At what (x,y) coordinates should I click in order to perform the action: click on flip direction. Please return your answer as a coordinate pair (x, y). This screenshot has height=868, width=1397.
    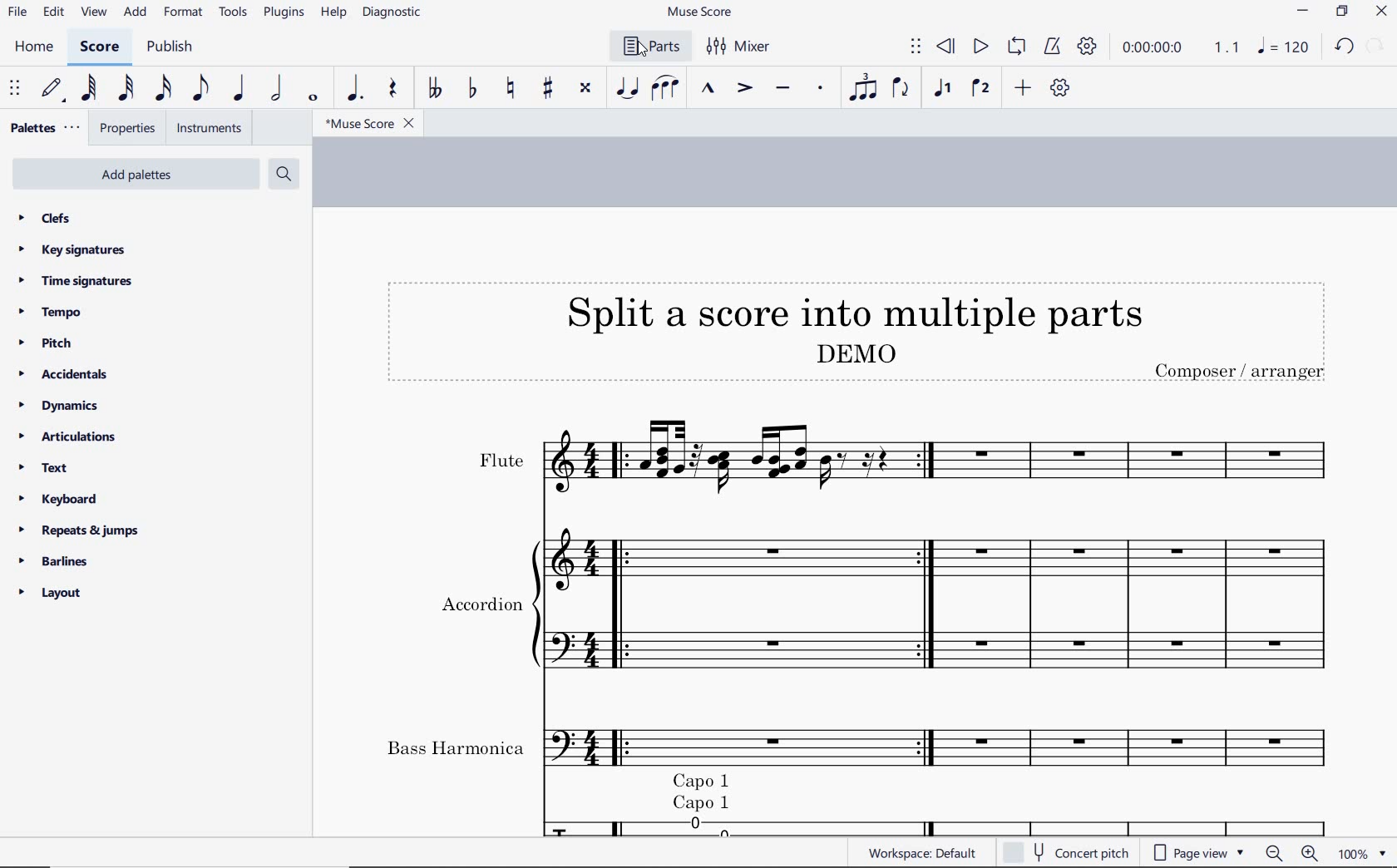
    Looking at the image, I should click on (902, 91).